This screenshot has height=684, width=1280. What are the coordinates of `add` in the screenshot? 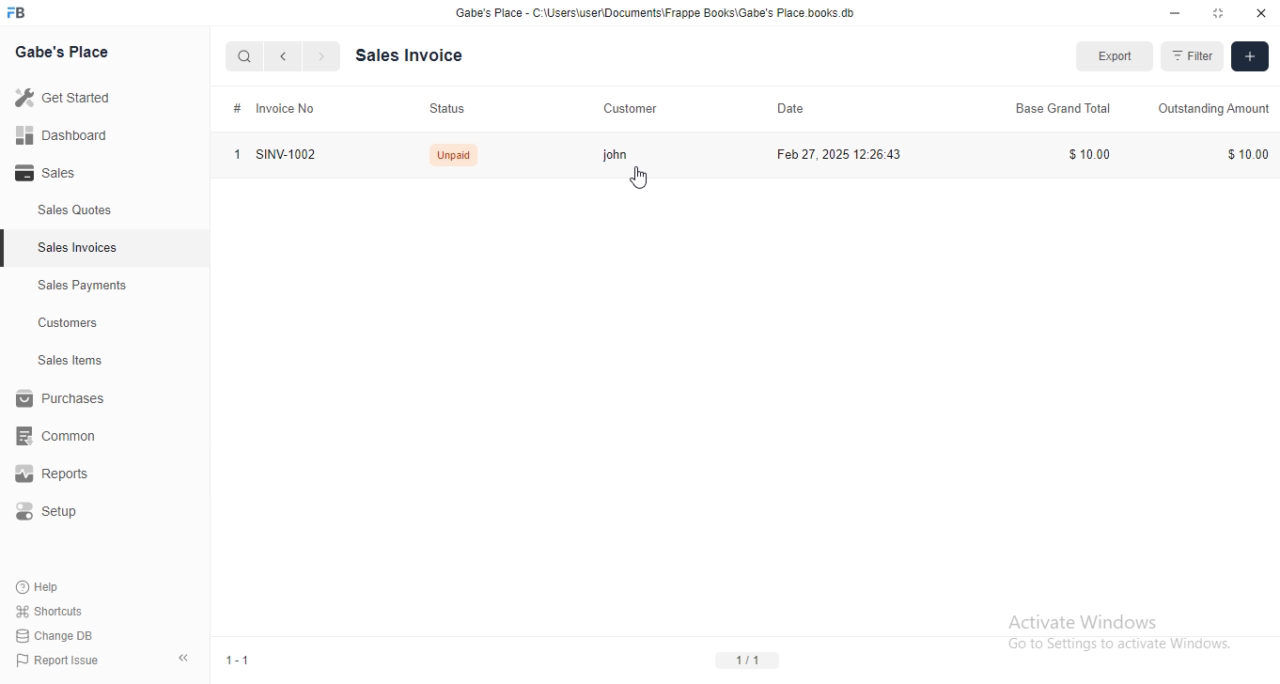 It's located at (1250, 56).